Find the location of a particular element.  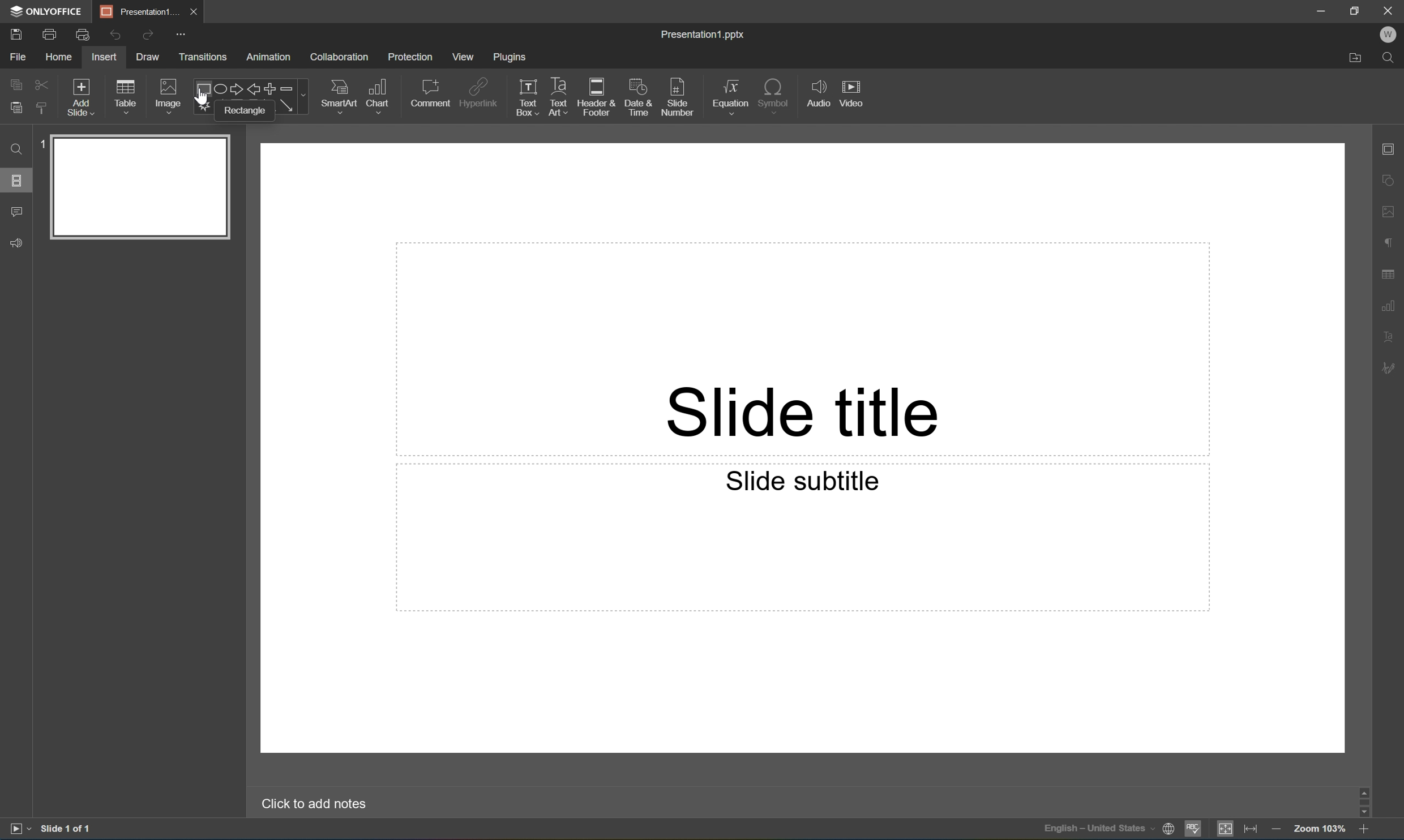

Start slideshow is located at coordinates (19, 829).